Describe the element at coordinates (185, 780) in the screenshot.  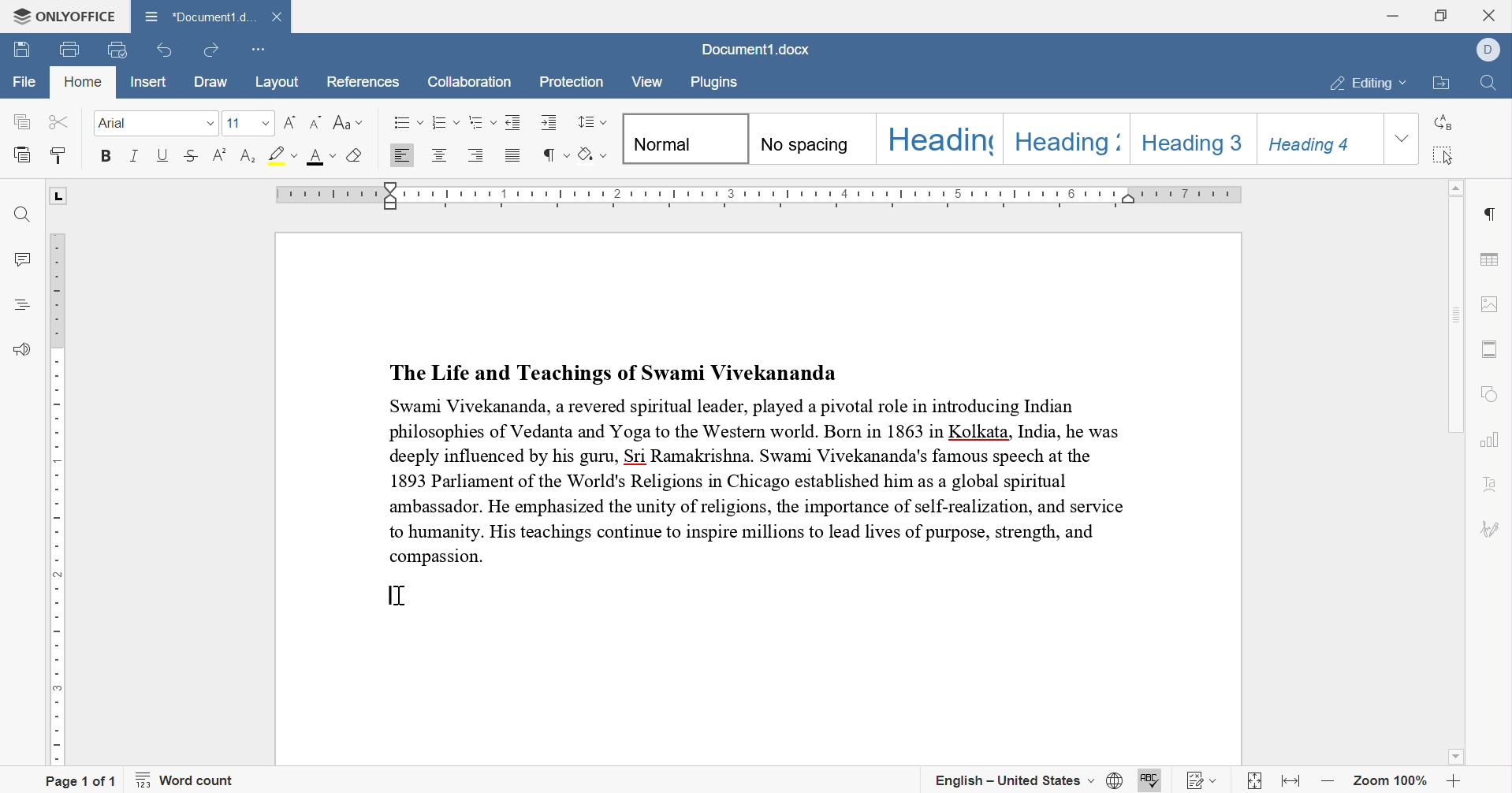
I see `word count` at that location.